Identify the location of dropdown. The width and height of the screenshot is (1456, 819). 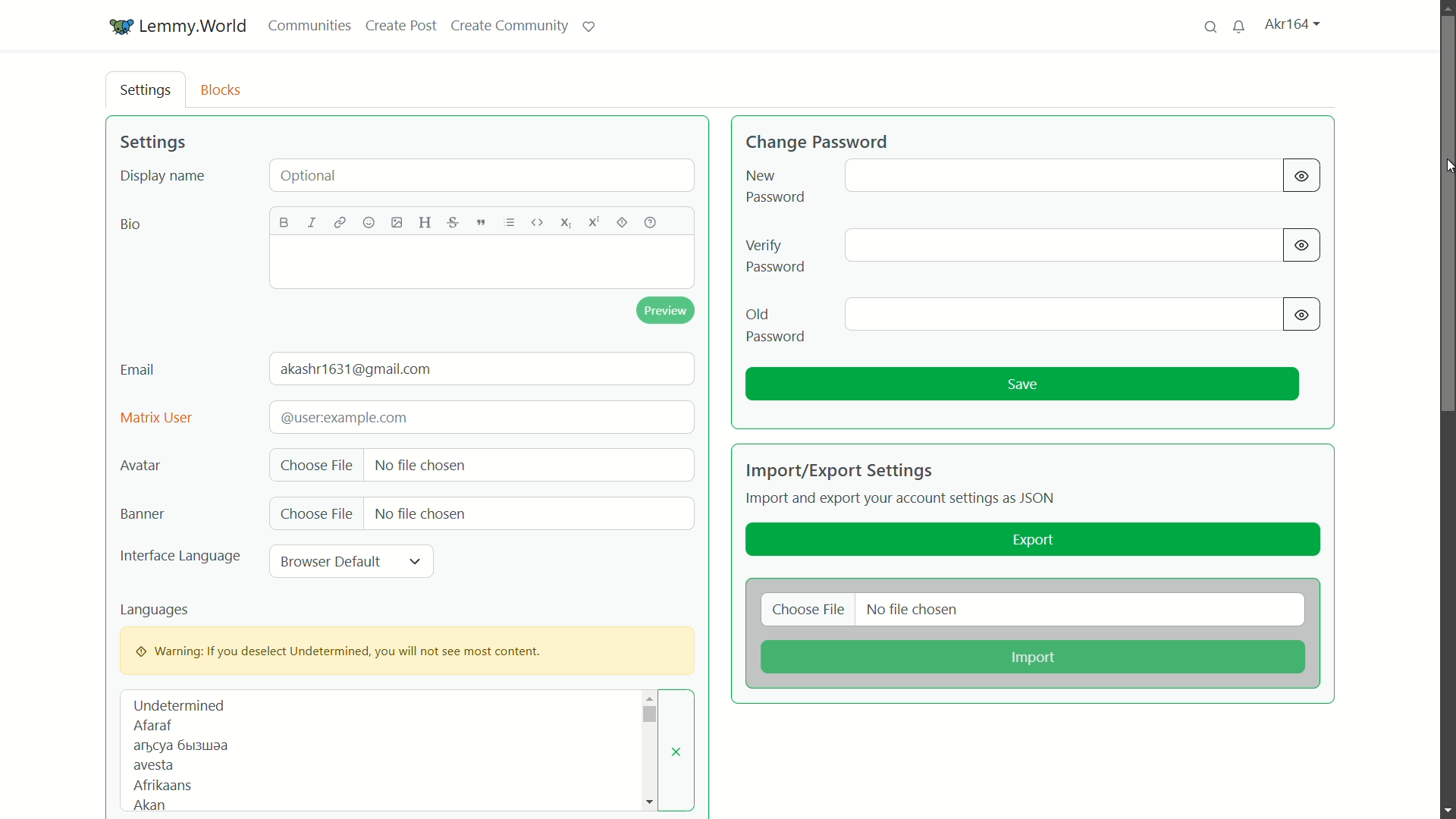
(416, 560).